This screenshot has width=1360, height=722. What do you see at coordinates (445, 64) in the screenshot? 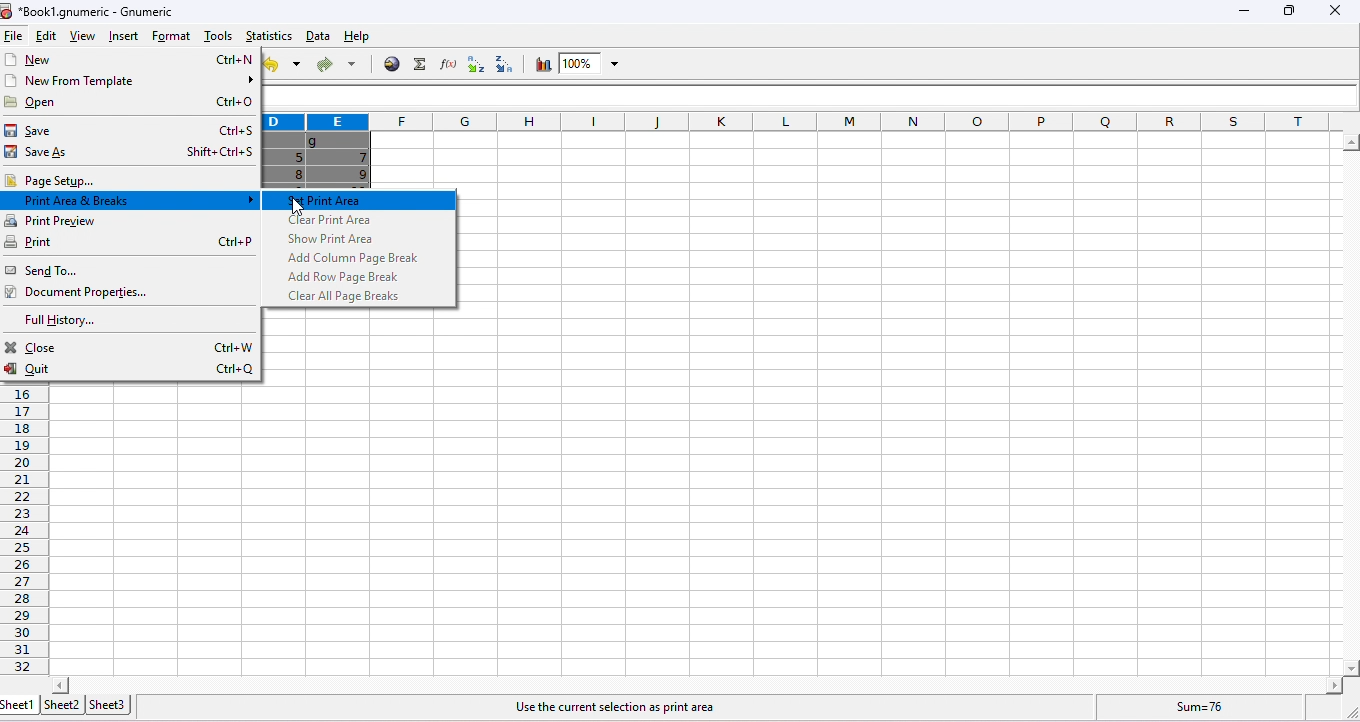
I see `function wizard` at bounding box center [445, 64].